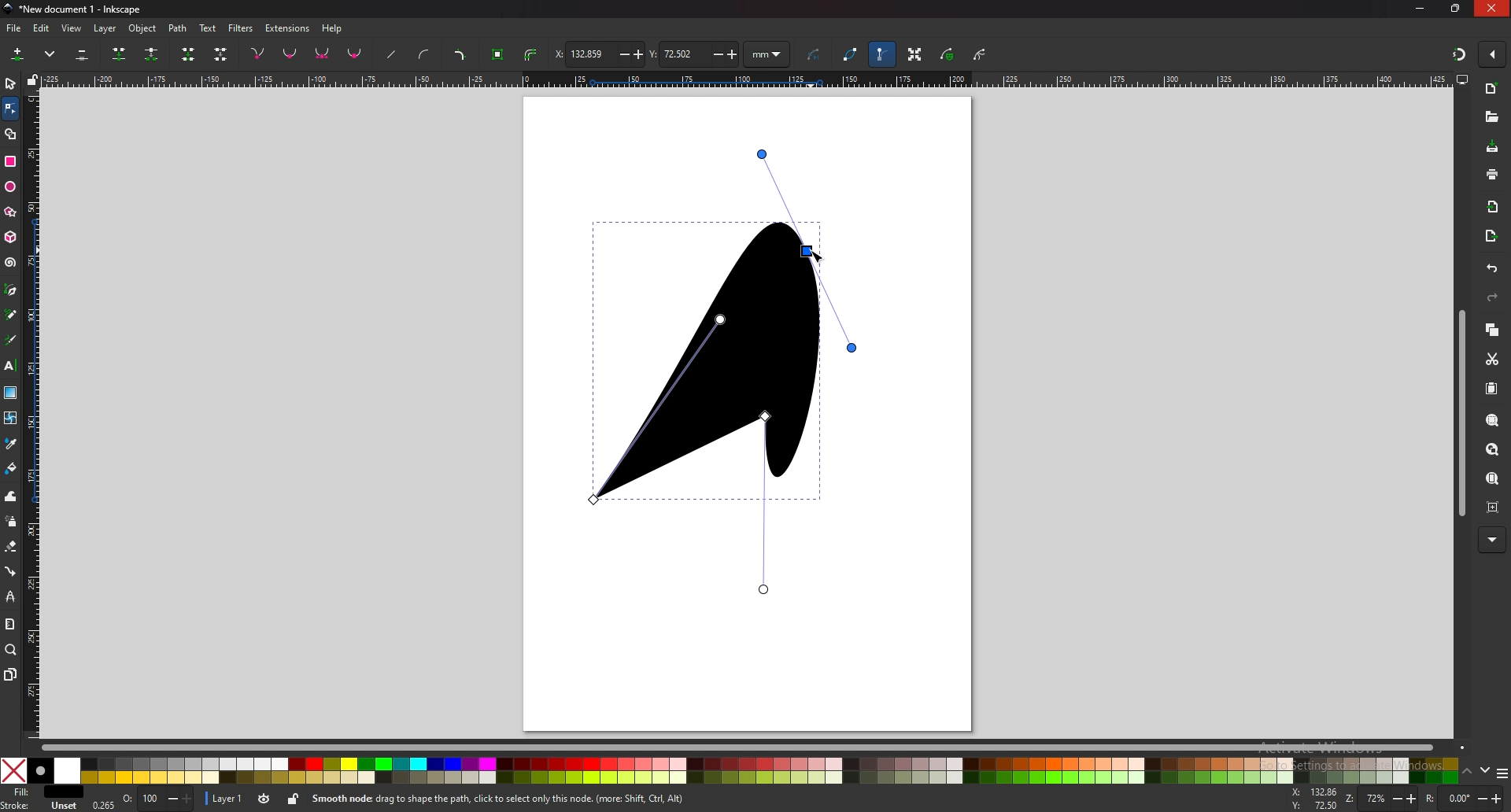 Image resolution: width=1511 pixels, height=812 pixels. I want to click on x coordinate, so click(597, 54).